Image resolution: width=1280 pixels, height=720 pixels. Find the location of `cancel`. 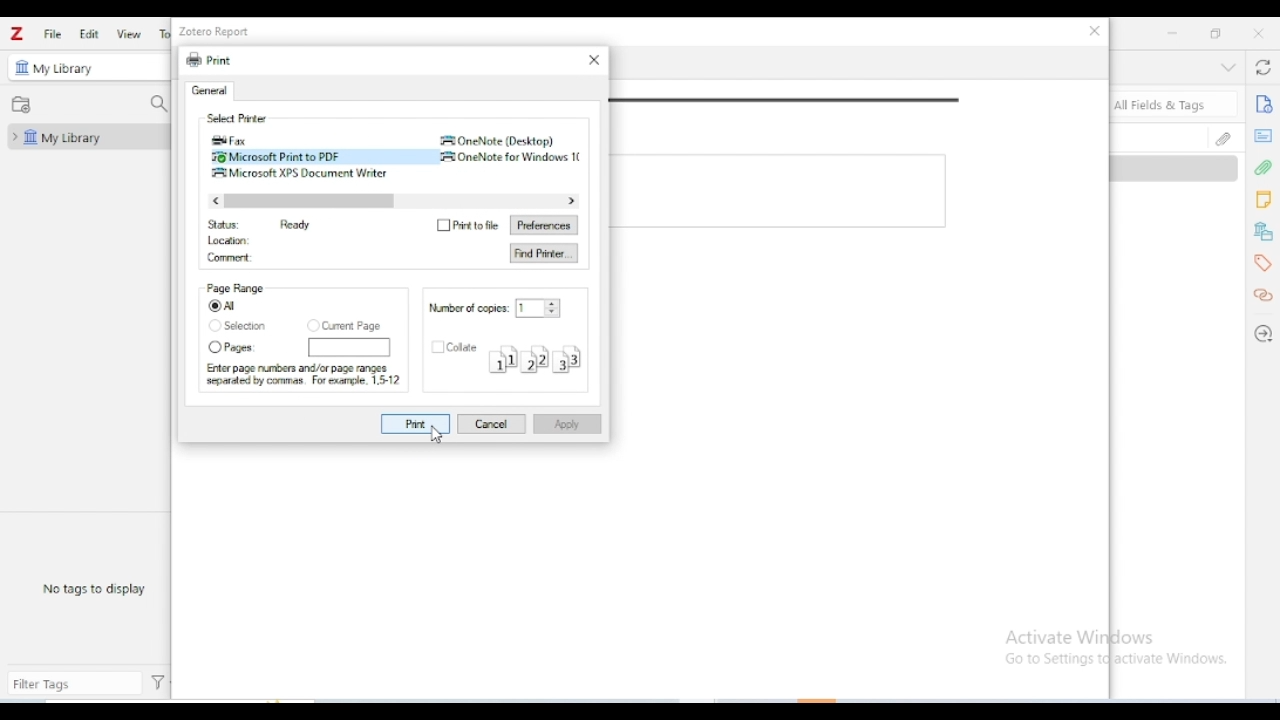

cancel is located at coordinates (492, 424).